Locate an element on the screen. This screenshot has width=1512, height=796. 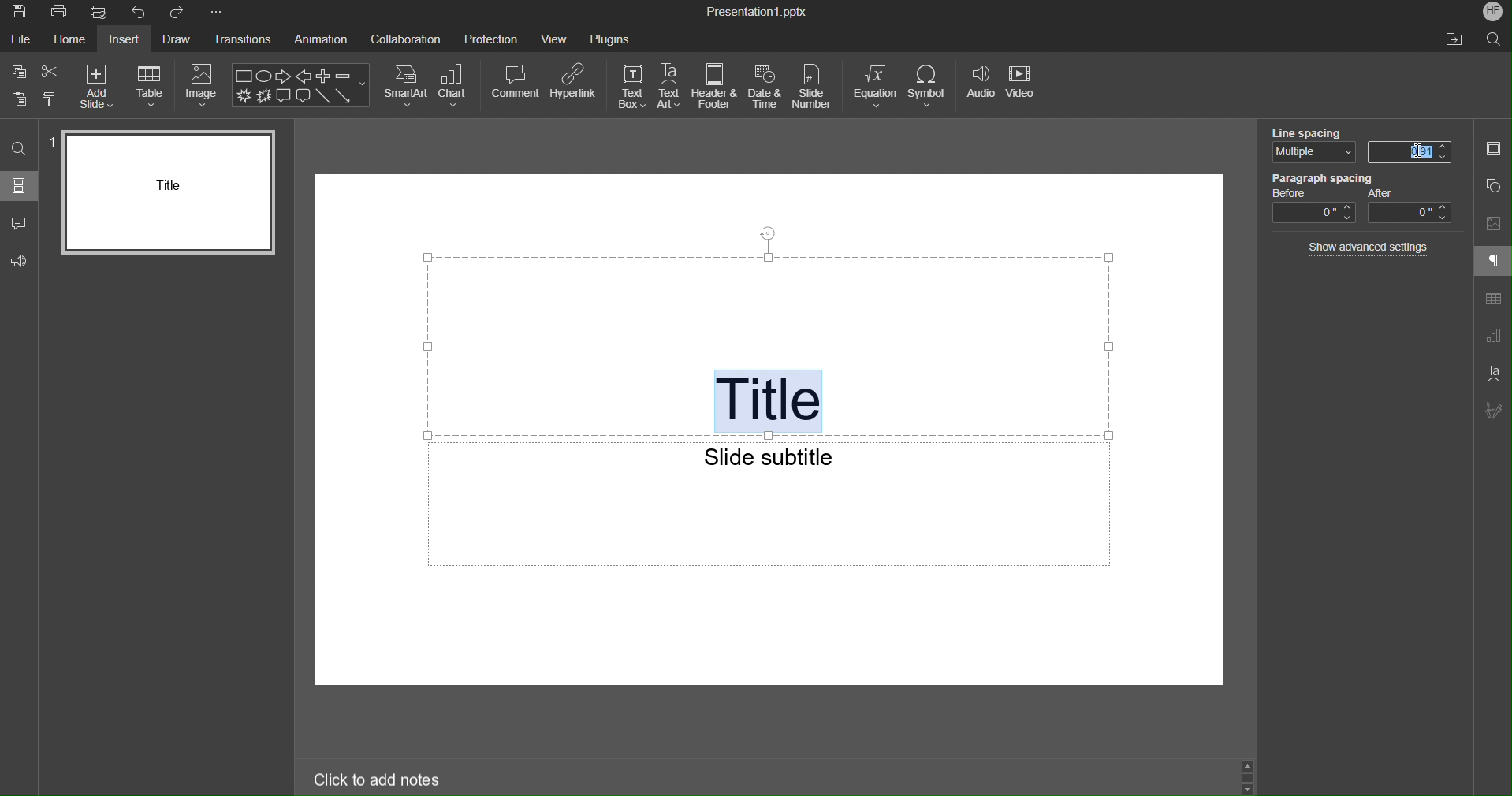
Slide subtitle is located at coordinates (771, 454).